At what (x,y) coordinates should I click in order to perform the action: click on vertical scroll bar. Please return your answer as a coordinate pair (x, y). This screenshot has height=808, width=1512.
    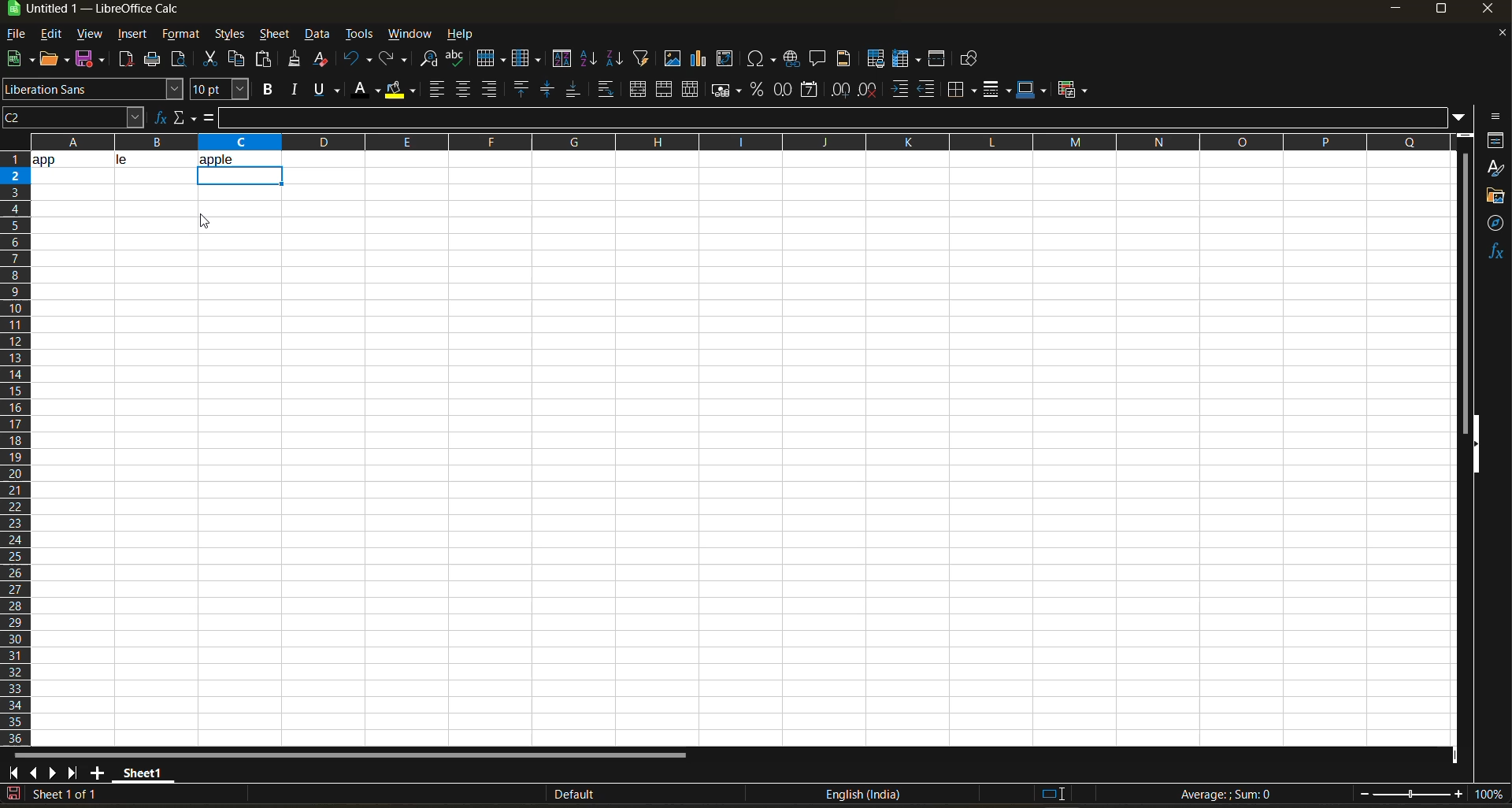
    Looking at the image, I should click on (1465, 282).